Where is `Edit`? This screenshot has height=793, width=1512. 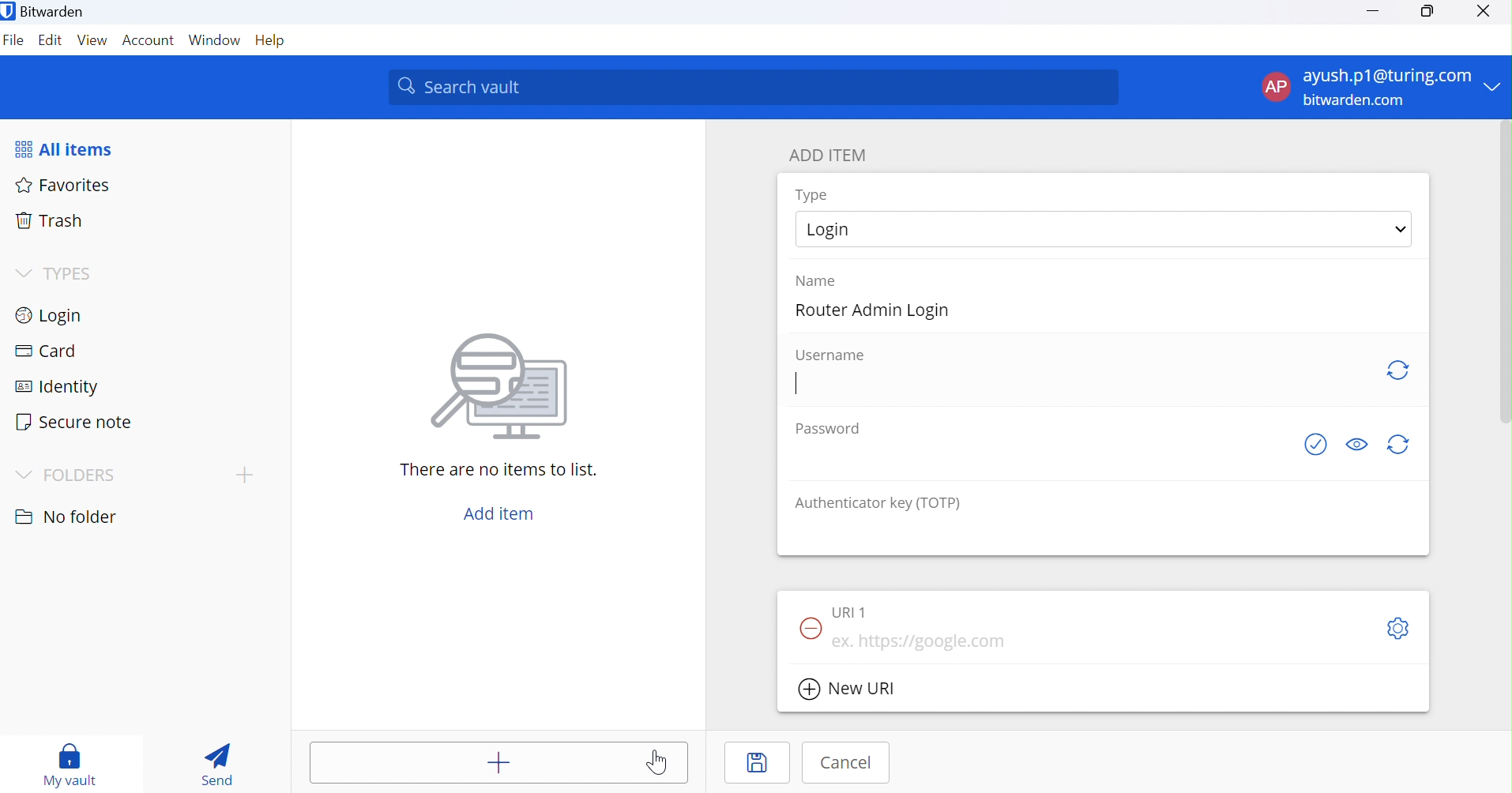 Edit is located at coordinates (52, 42).